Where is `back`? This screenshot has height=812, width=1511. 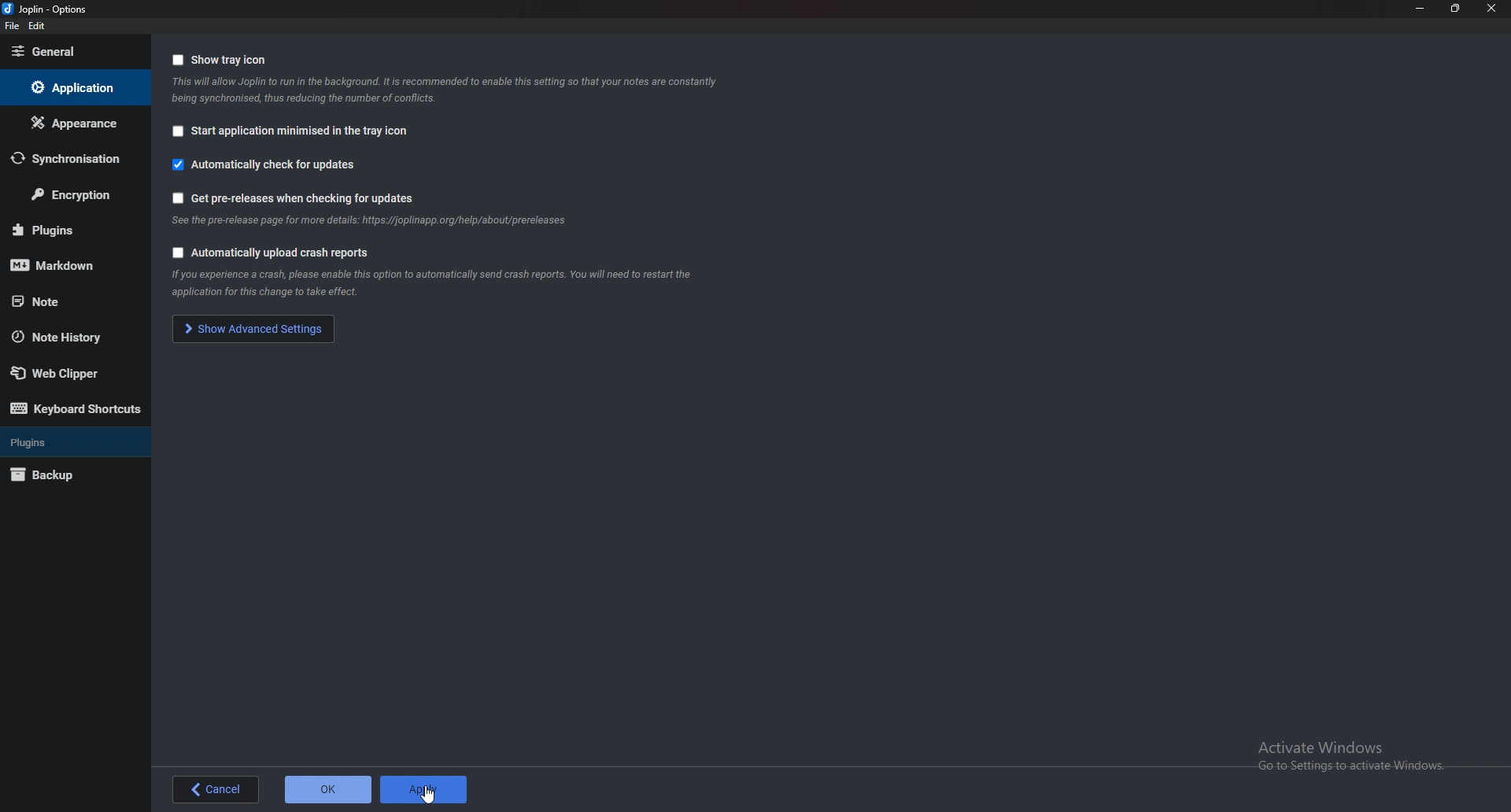
back is located at coordinates (216, 789).